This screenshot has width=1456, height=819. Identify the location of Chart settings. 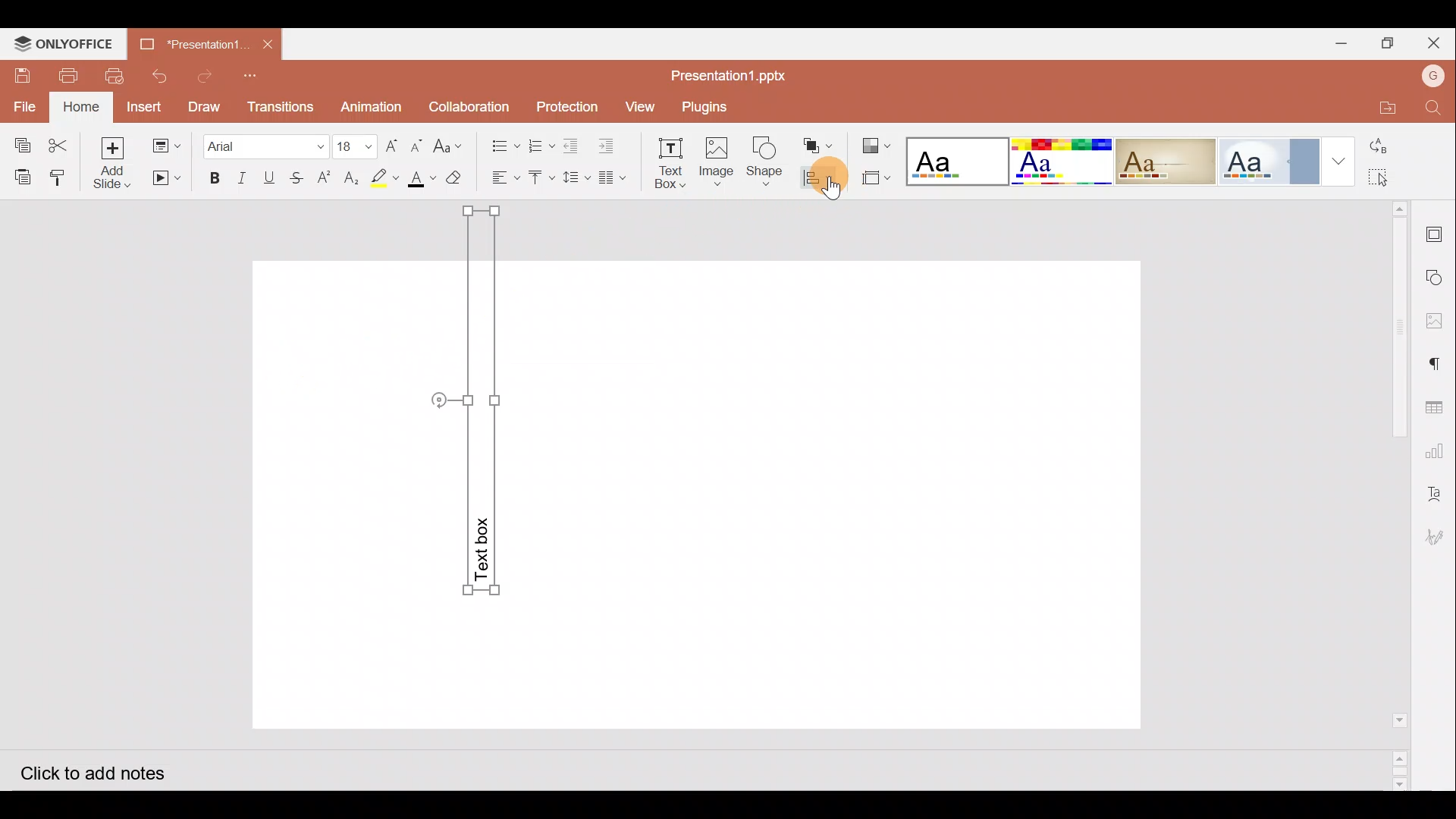
(1438, 451).